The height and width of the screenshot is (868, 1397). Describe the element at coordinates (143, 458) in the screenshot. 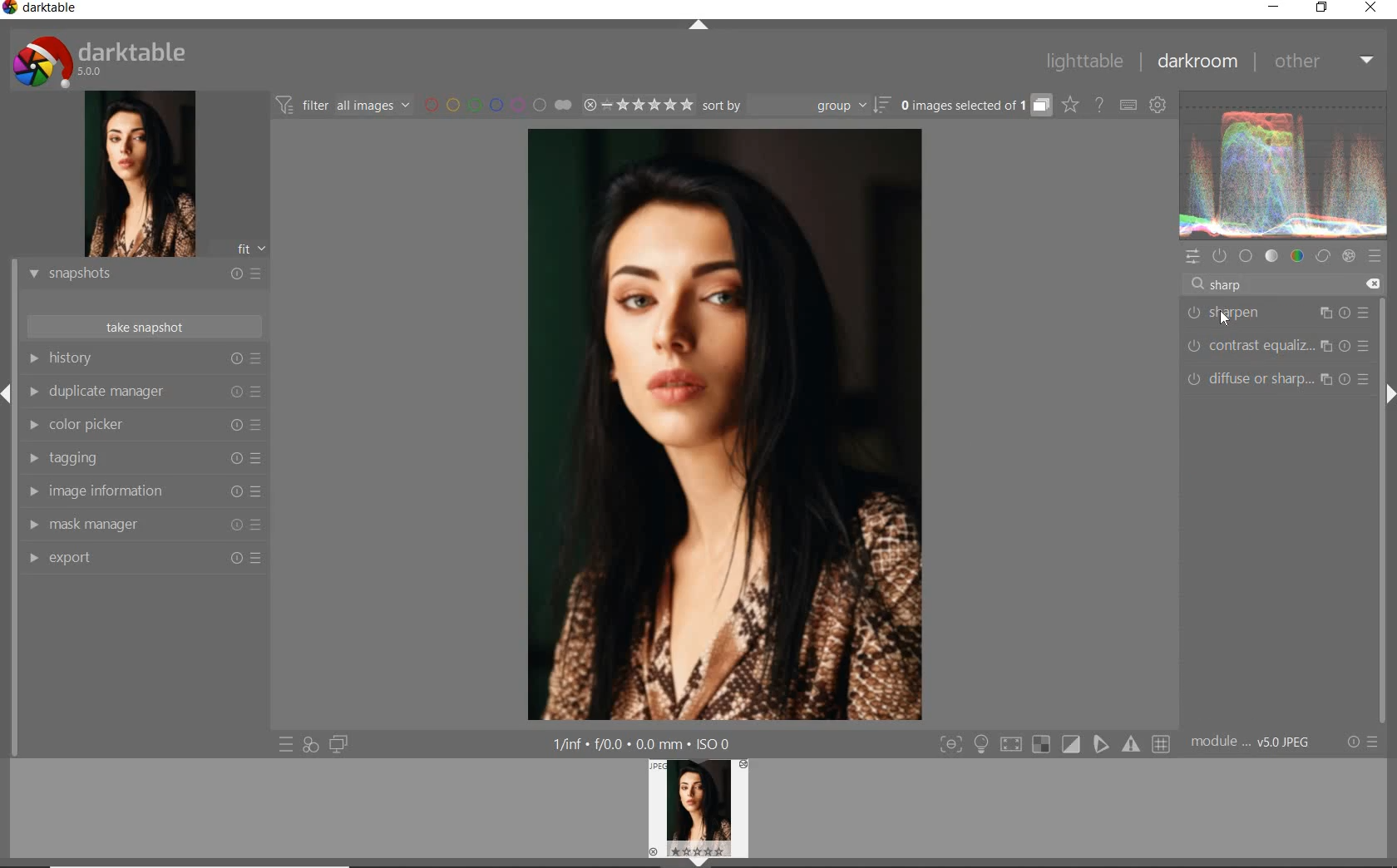

I see `tagging` at that location.